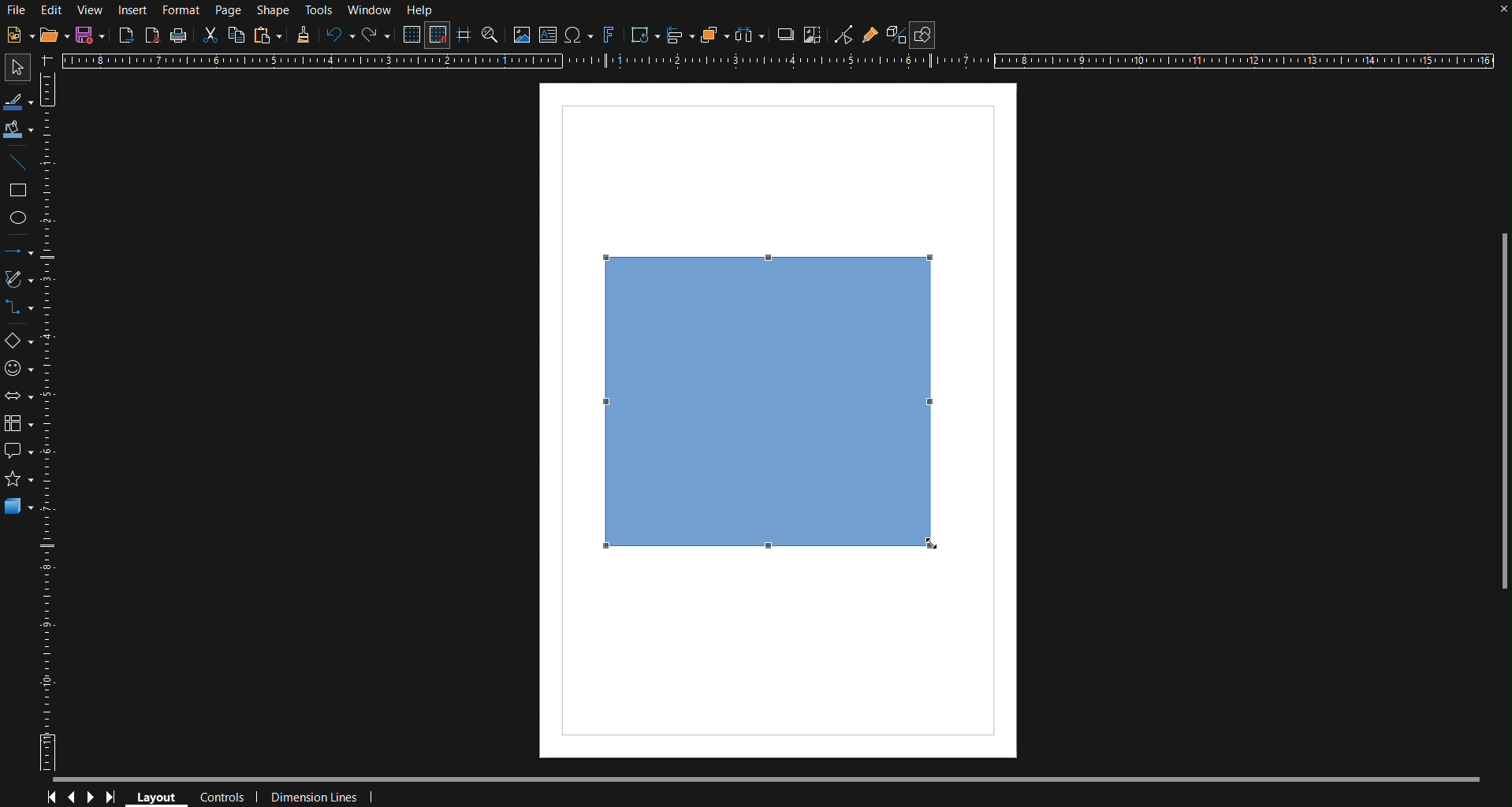 Image resolution: width=1512 pixels, height=807 pixels. What do you see at coordinates (20, 278) in the screenshot?
I see `Curves and Polygons` at bounding box center [20, 278].